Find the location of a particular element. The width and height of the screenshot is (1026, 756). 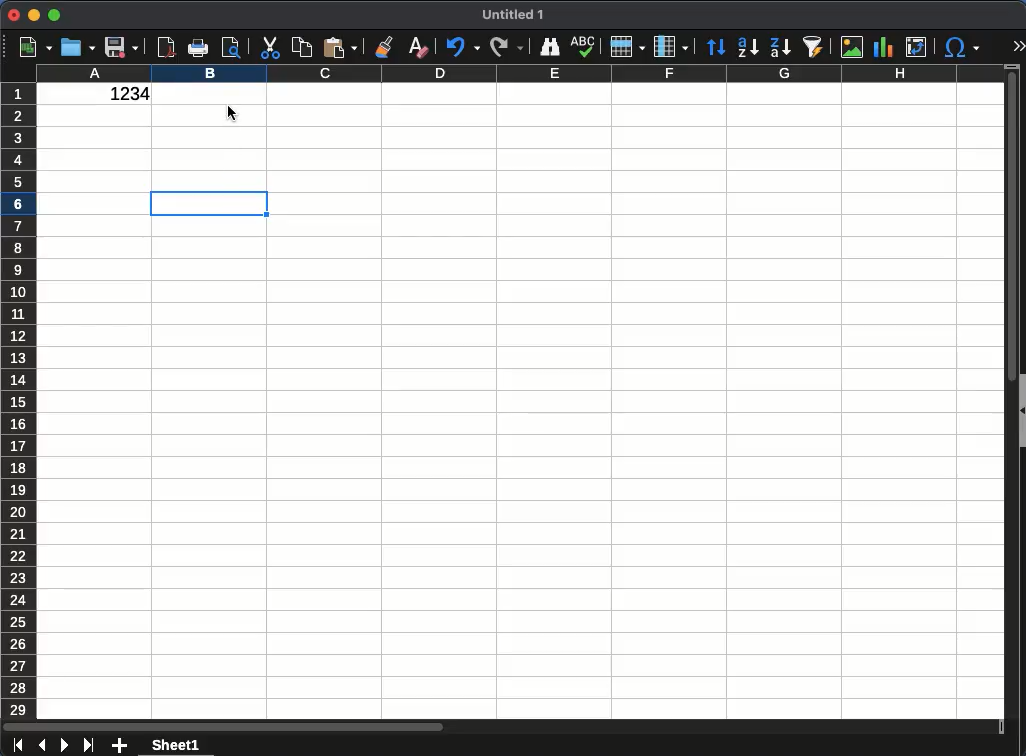

collapse is located at coordinates (1021, 412).